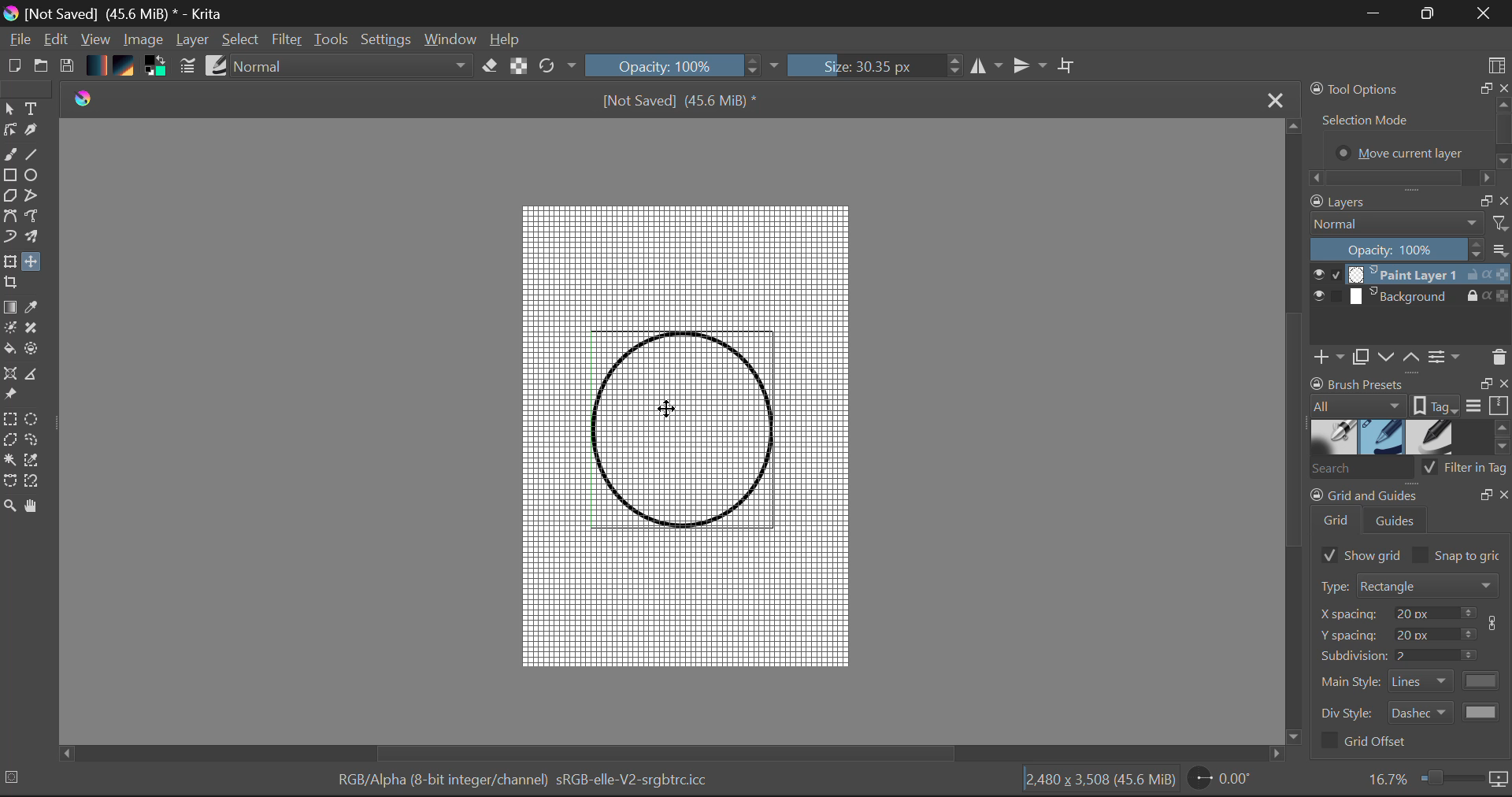 This screenshot has height=797, width=1512. Describe the element at coordinates (1293, 432) in the screenshot. I see `Scroll Bar` at that location.